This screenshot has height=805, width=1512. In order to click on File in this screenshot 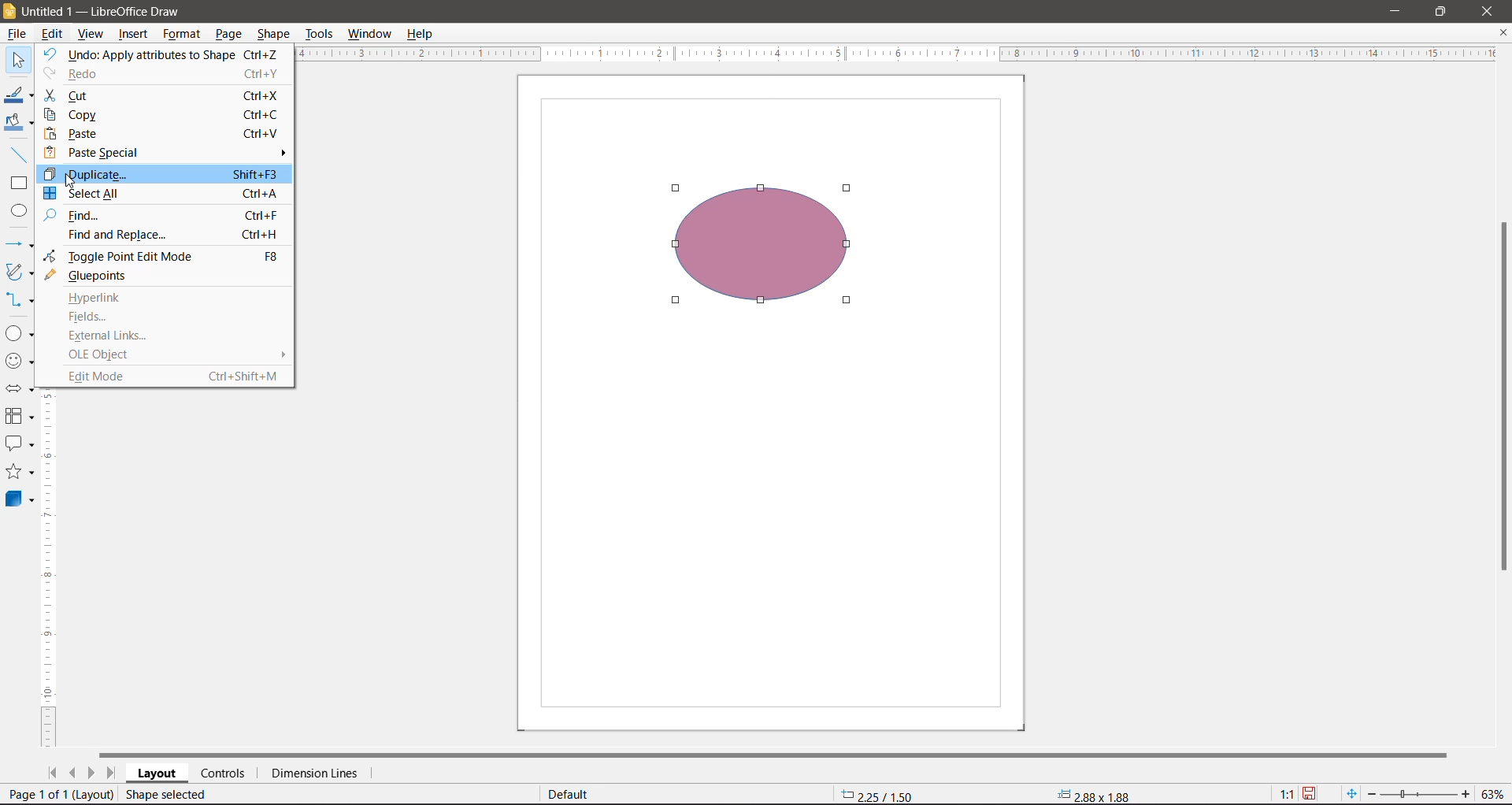, I will do `click(15, 33)`.